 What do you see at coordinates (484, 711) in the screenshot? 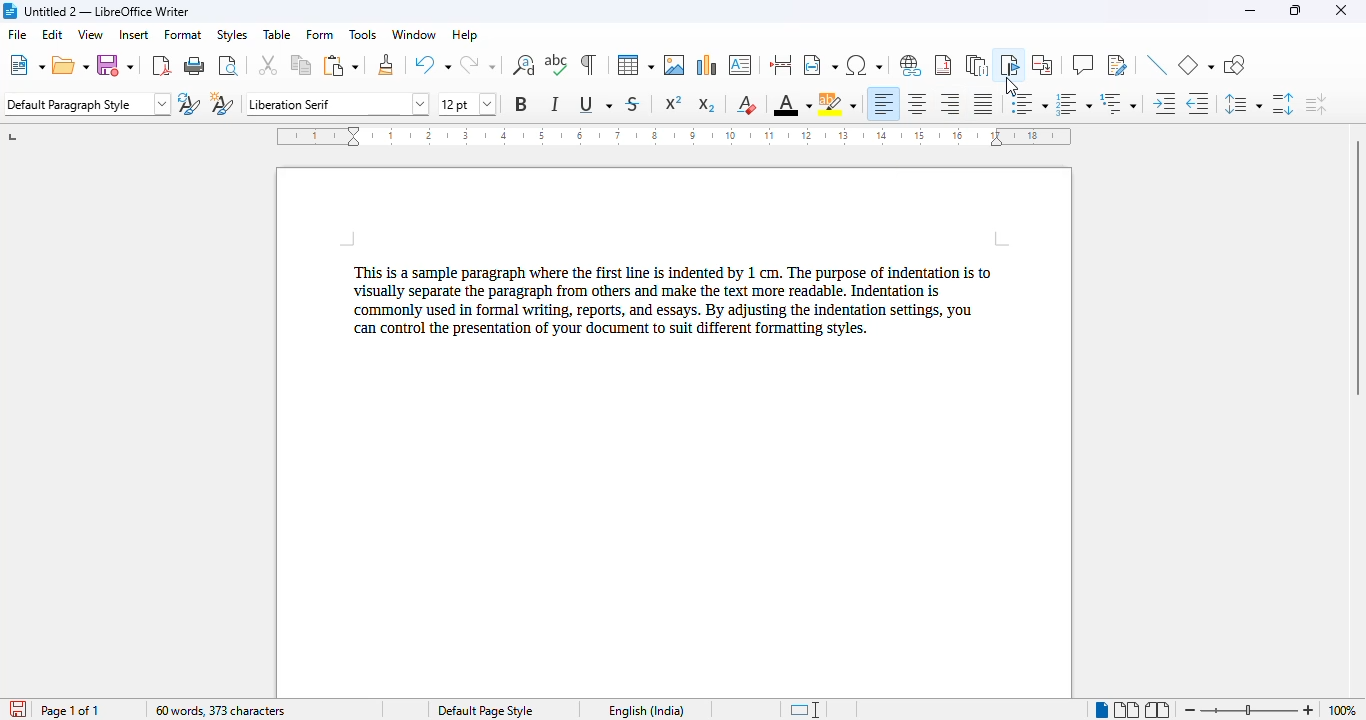
I see `page style` at bounding box center [484, 711].